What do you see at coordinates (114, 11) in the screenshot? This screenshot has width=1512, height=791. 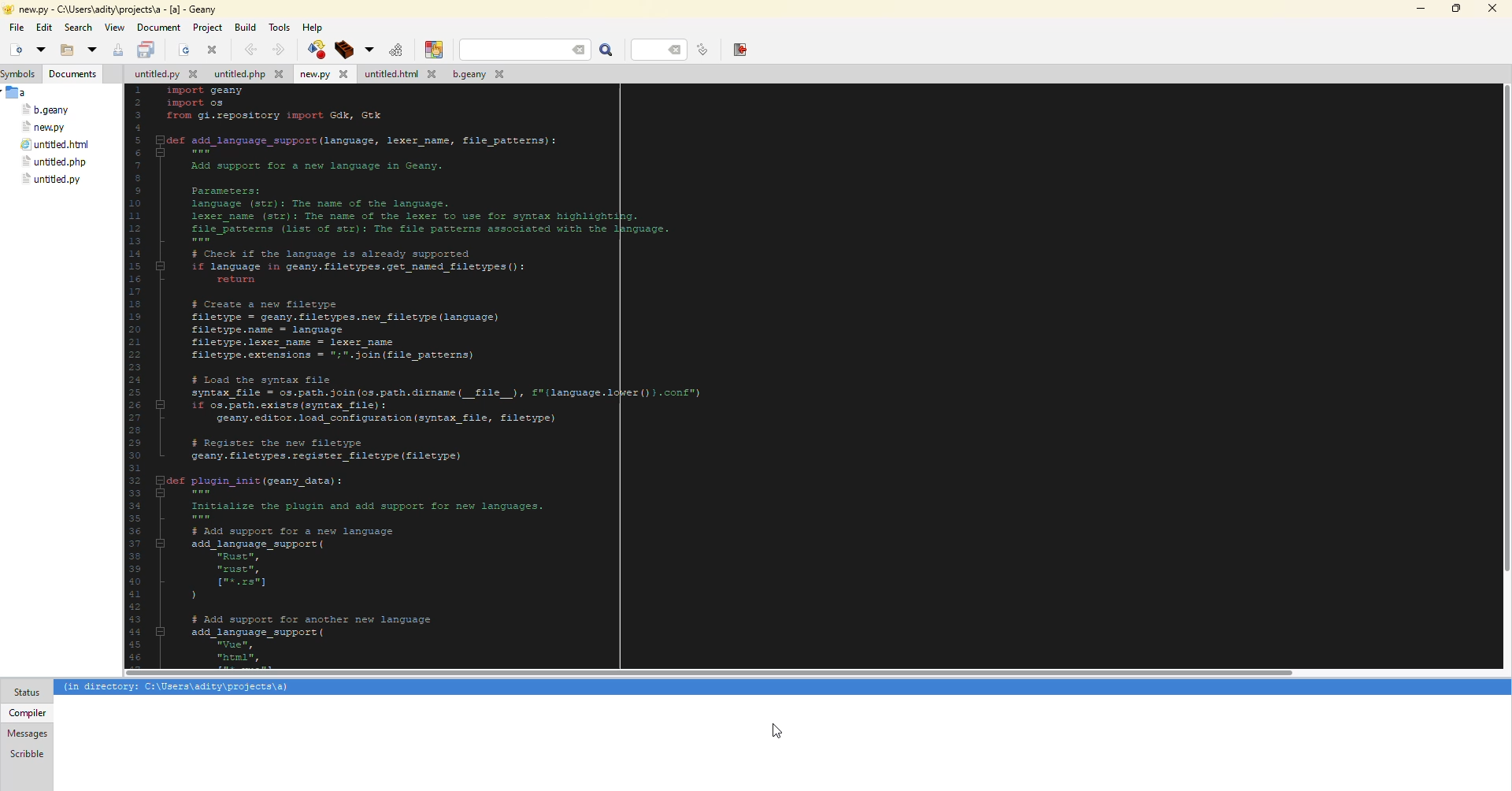 I see `geany` at bounding box center [114, 11].